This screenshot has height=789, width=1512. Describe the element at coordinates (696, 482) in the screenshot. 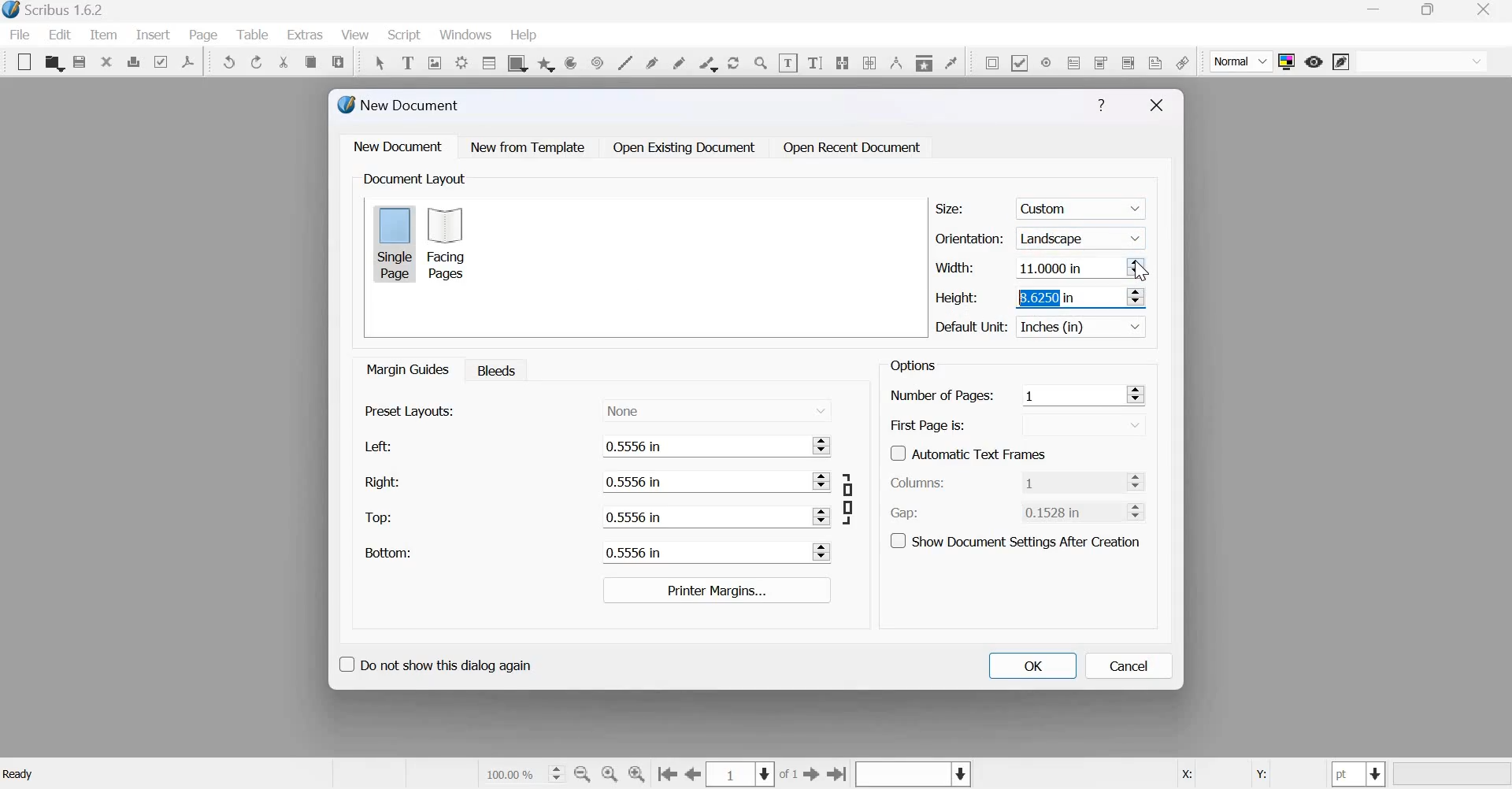

I see `0.5556 in` at that location.